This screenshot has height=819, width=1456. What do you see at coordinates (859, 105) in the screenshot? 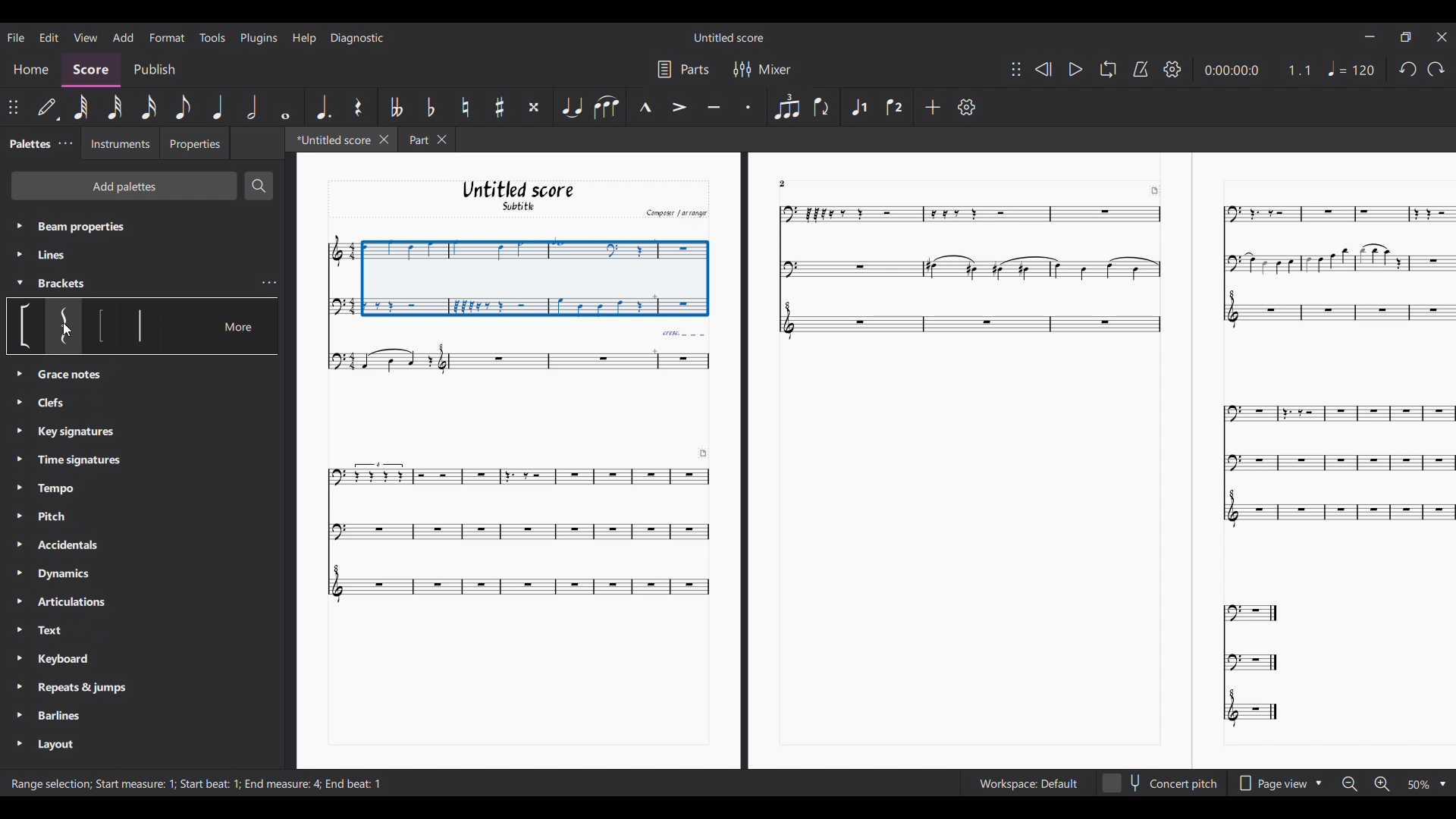
I see `Voice 1` at bounding box center [859, 105].